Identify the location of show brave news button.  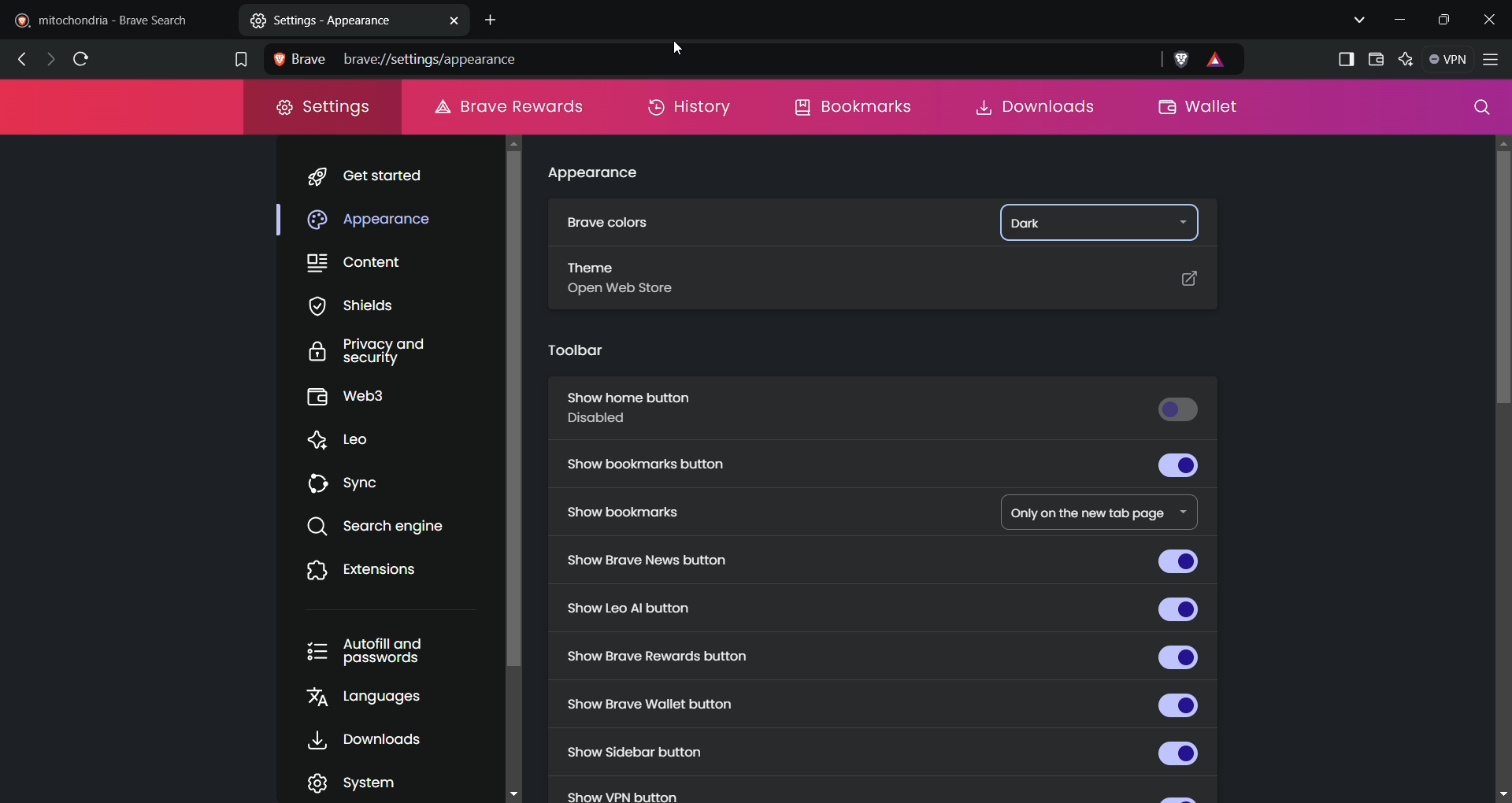
(880, 561).